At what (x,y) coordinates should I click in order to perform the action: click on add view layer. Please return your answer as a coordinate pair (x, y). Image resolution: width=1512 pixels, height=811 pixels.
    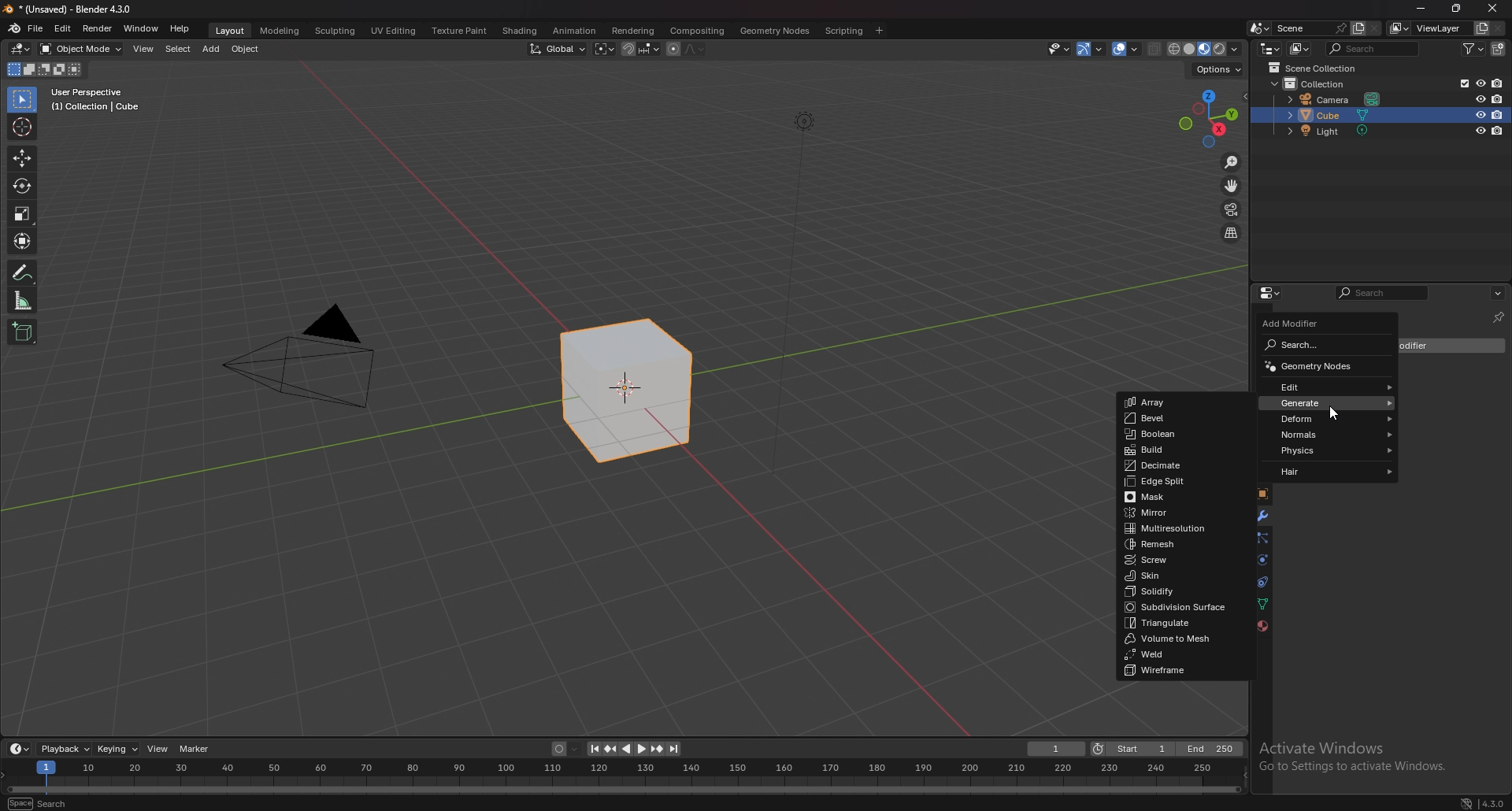
    Looking at the image, I should click on (1480, 28).